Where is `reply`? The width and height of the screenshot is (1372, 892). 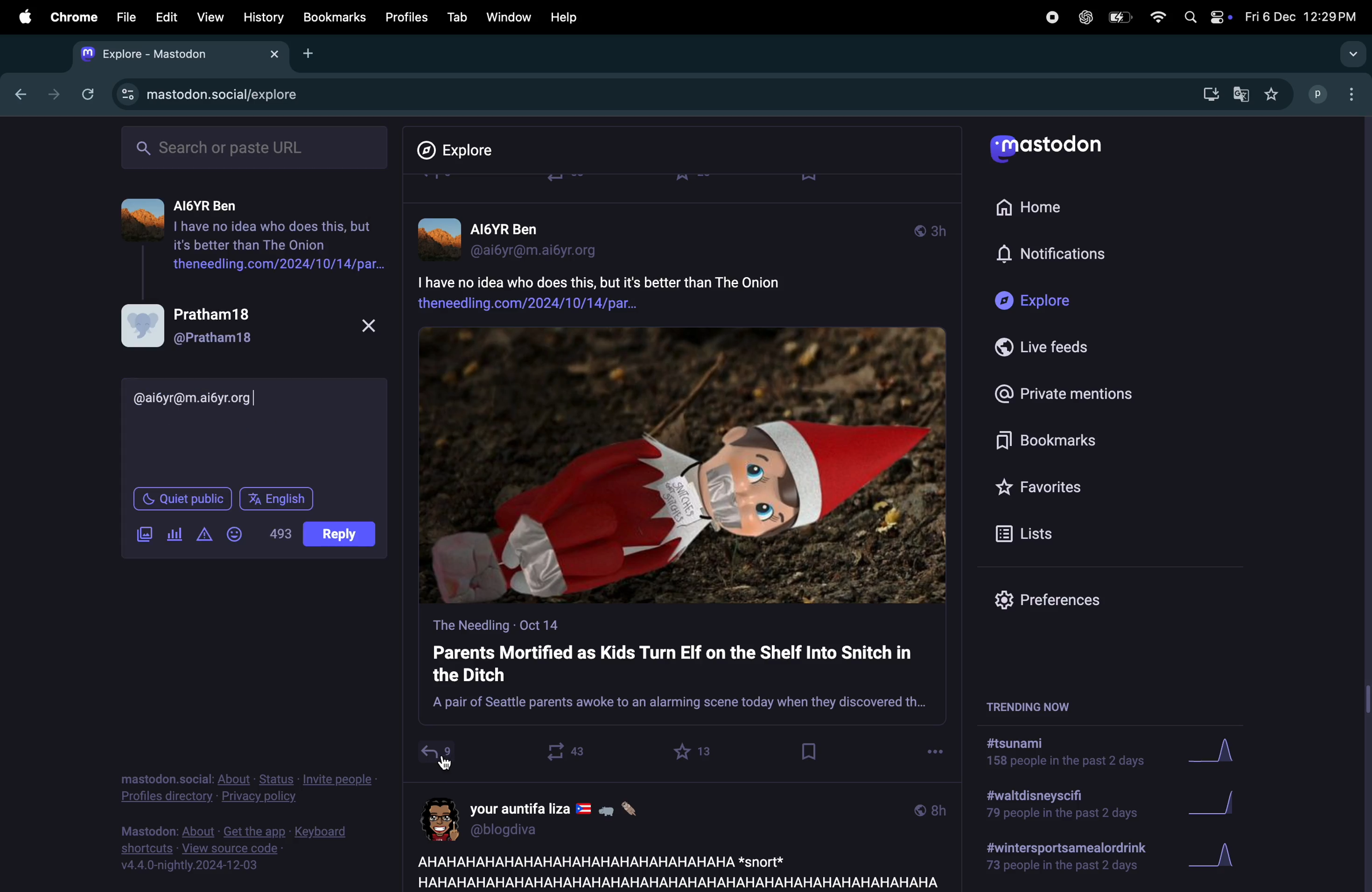
reply is located at coordinates (436, 755).